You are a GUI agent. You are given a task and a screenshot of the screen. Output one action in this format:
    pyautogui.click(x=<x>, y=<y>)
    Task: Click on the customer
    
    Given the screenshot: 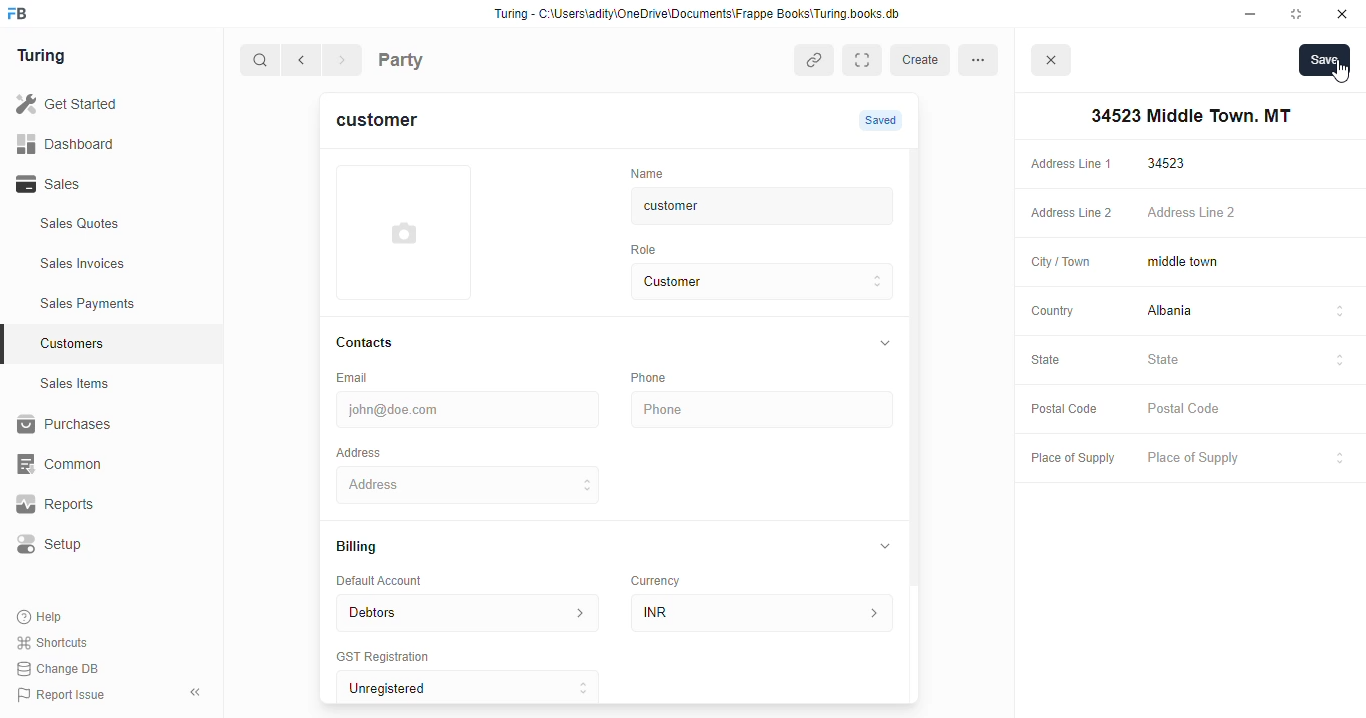 What is the action you would take?
    pyautogui.click(x=746, y=206)
    